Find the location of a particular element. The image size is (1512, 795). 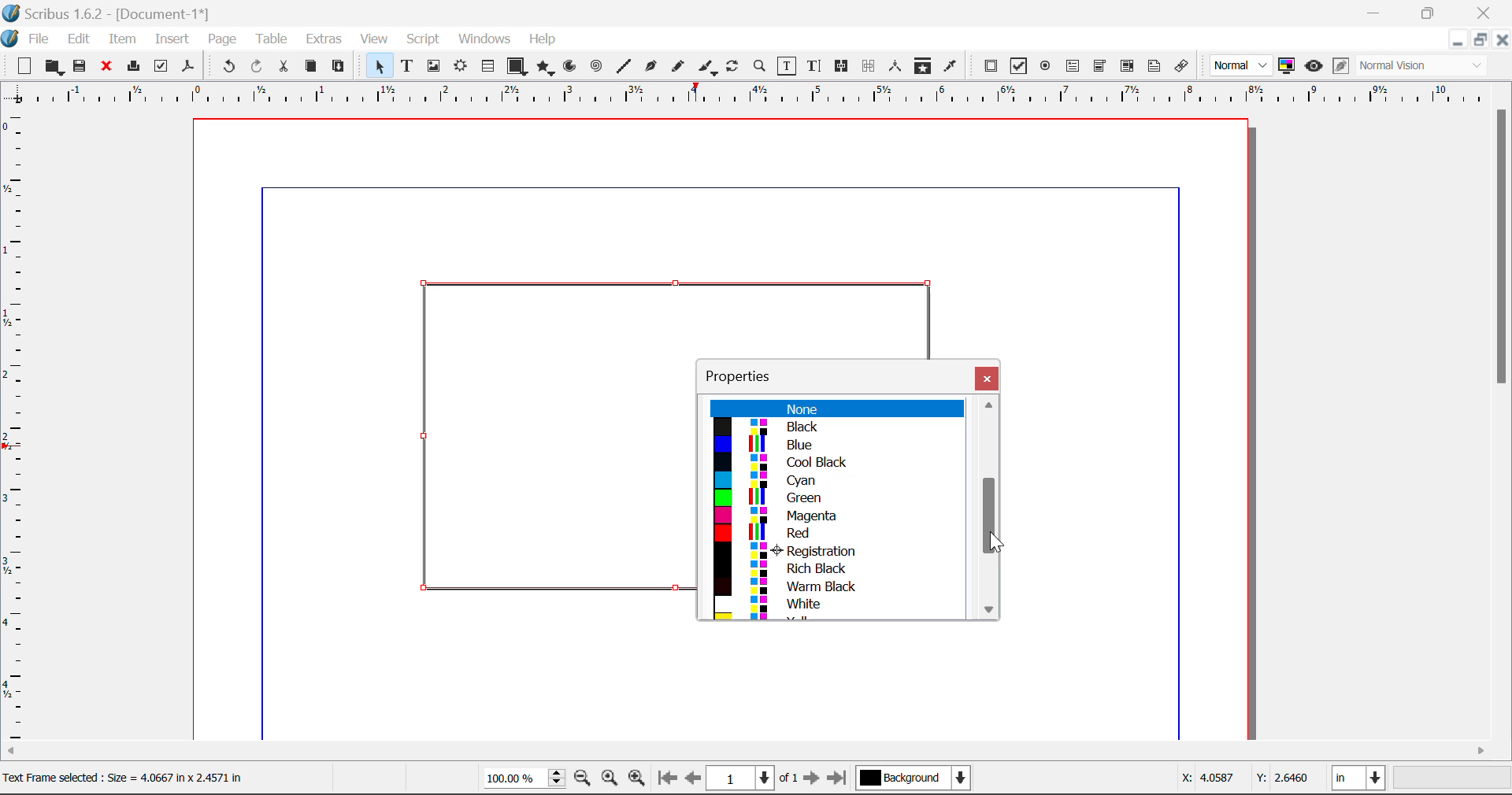

Text Frame Selected is located at coordinates (406, 65).